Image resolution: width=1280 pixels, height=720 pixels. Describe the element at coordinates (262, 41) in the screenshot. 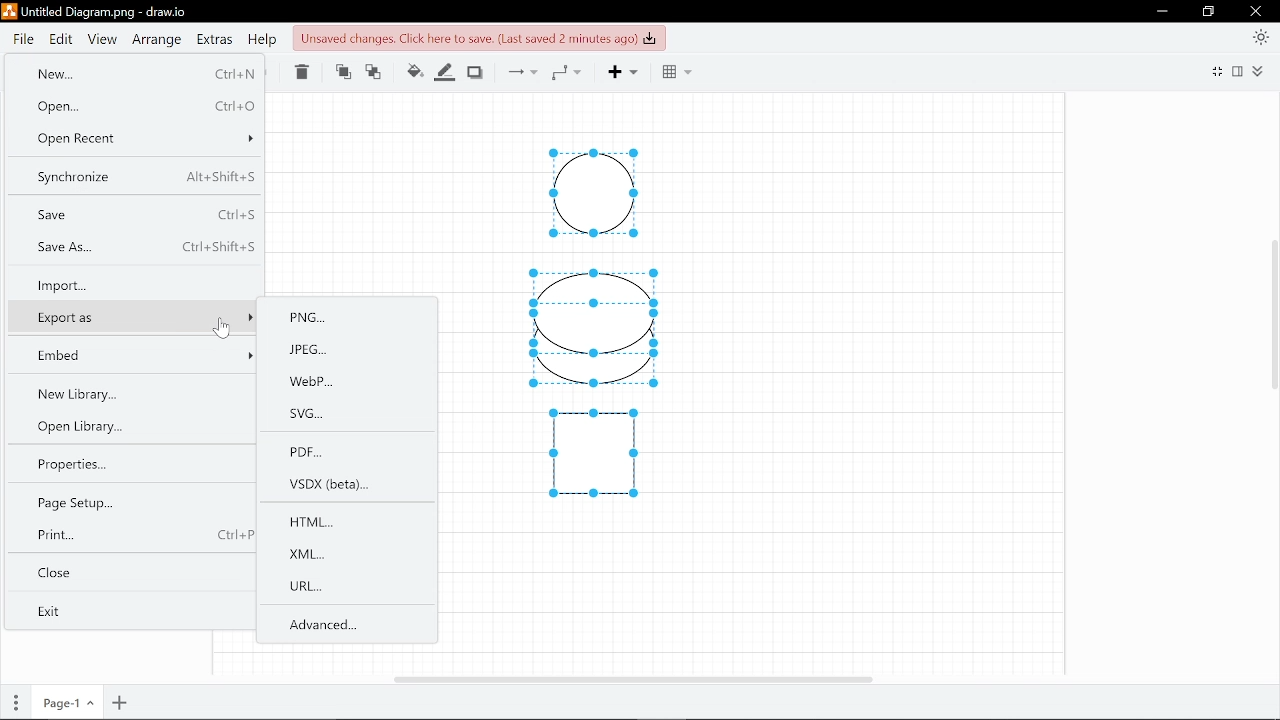

I see `Help` at that location.